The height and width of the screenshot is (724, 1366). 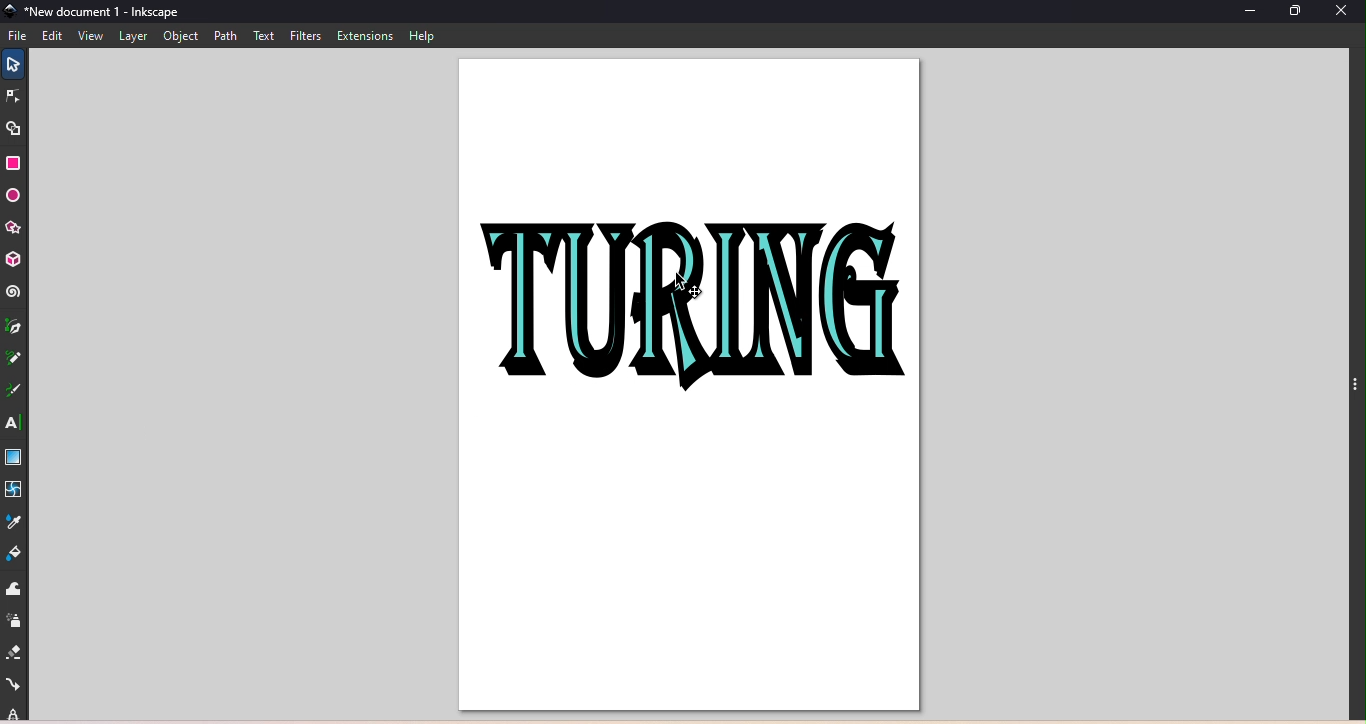 What do you see at coordinates (682, 387) in the screenshot?
I see `Canvas` at bounding box center [682, 387].